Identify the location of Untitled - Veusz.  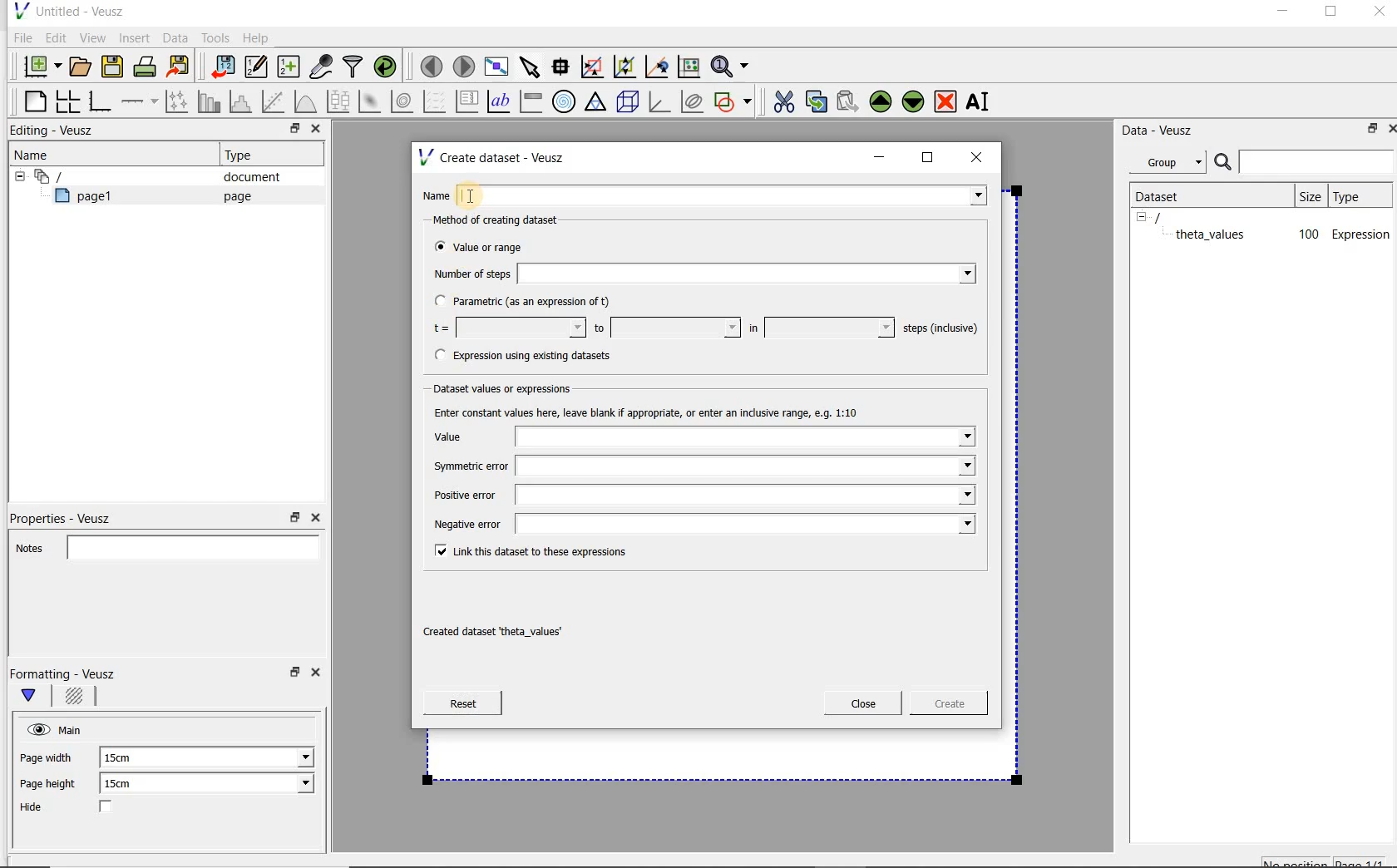
(67, 10).